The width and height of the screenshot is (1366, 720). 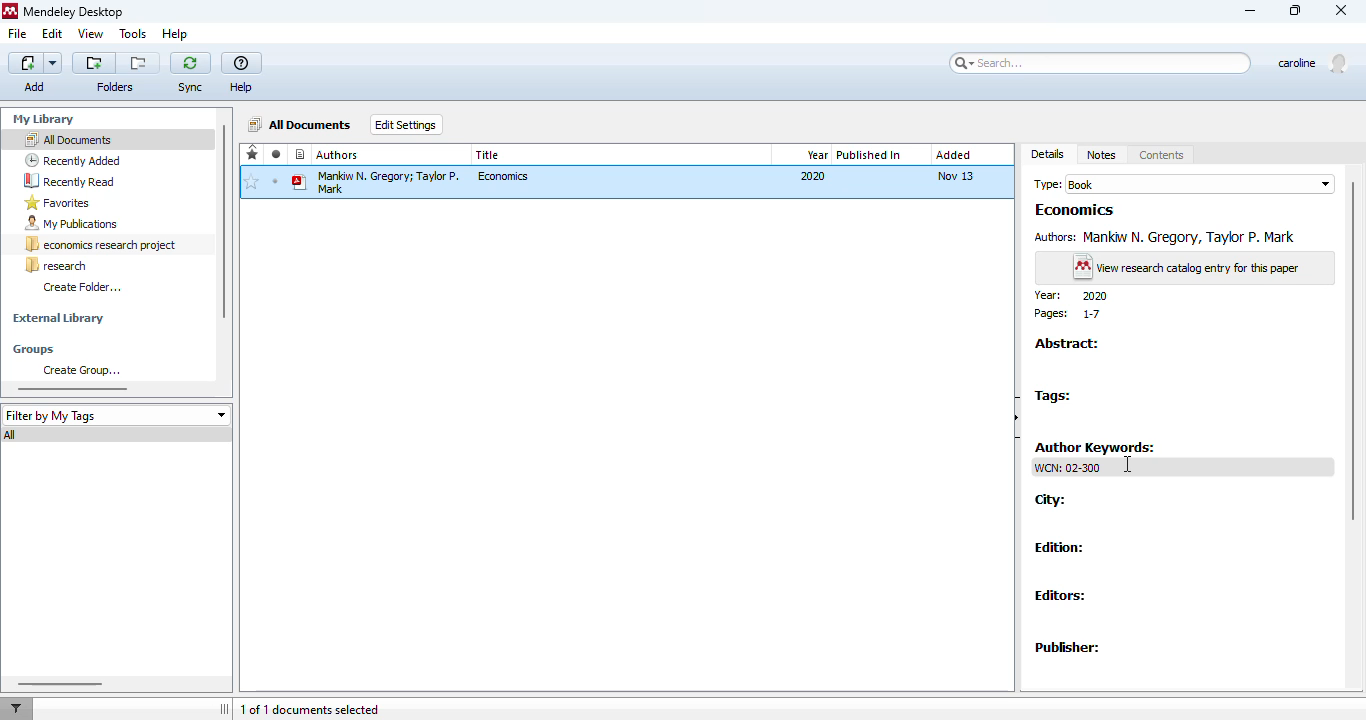 I want to click on my library, so click(x=44, y=118).